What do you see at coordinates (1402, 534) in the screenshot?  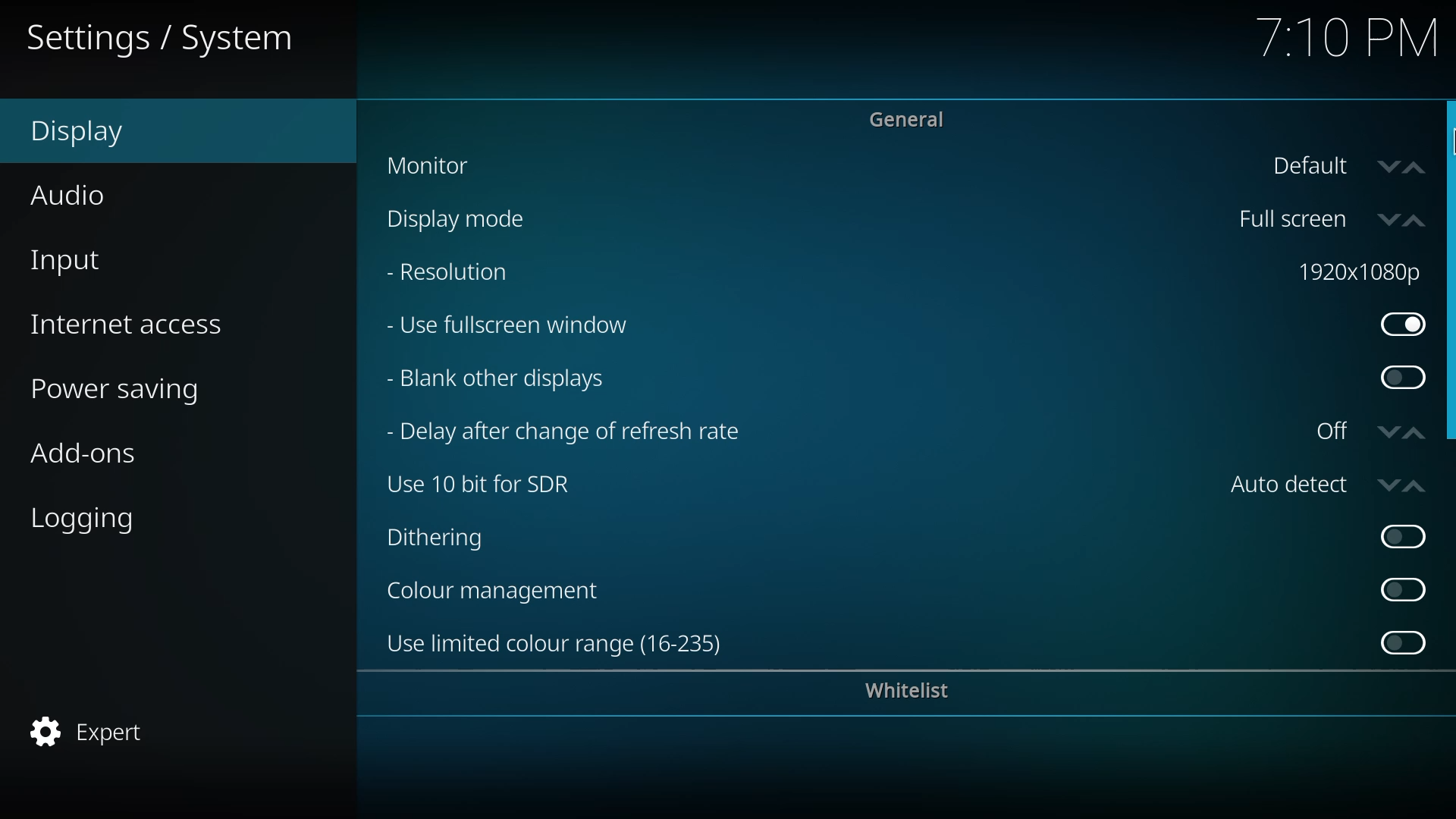 I see `enable` at bounding box center [1402, 534].